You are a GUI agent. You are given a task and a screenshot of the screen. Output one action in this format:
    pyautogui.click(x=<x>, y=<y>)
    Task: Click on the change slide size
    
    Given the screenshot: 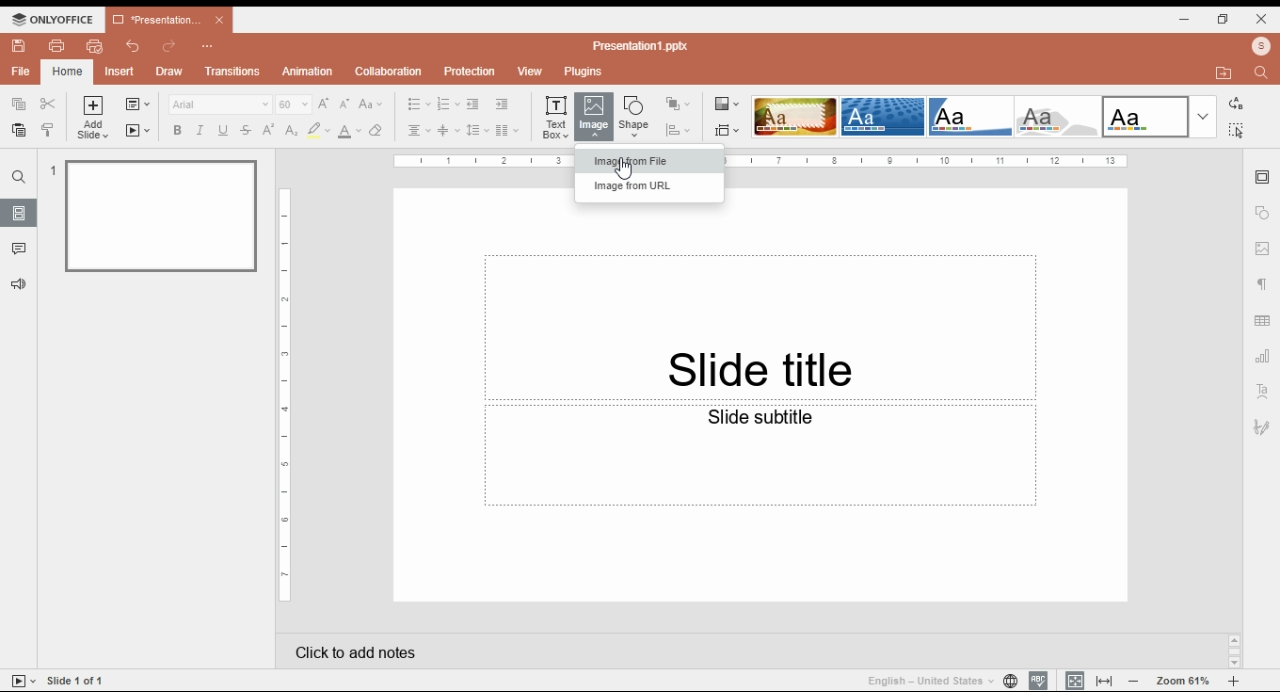 What is the action you would take?
    pyautogui.click(x=725, y=130)
    